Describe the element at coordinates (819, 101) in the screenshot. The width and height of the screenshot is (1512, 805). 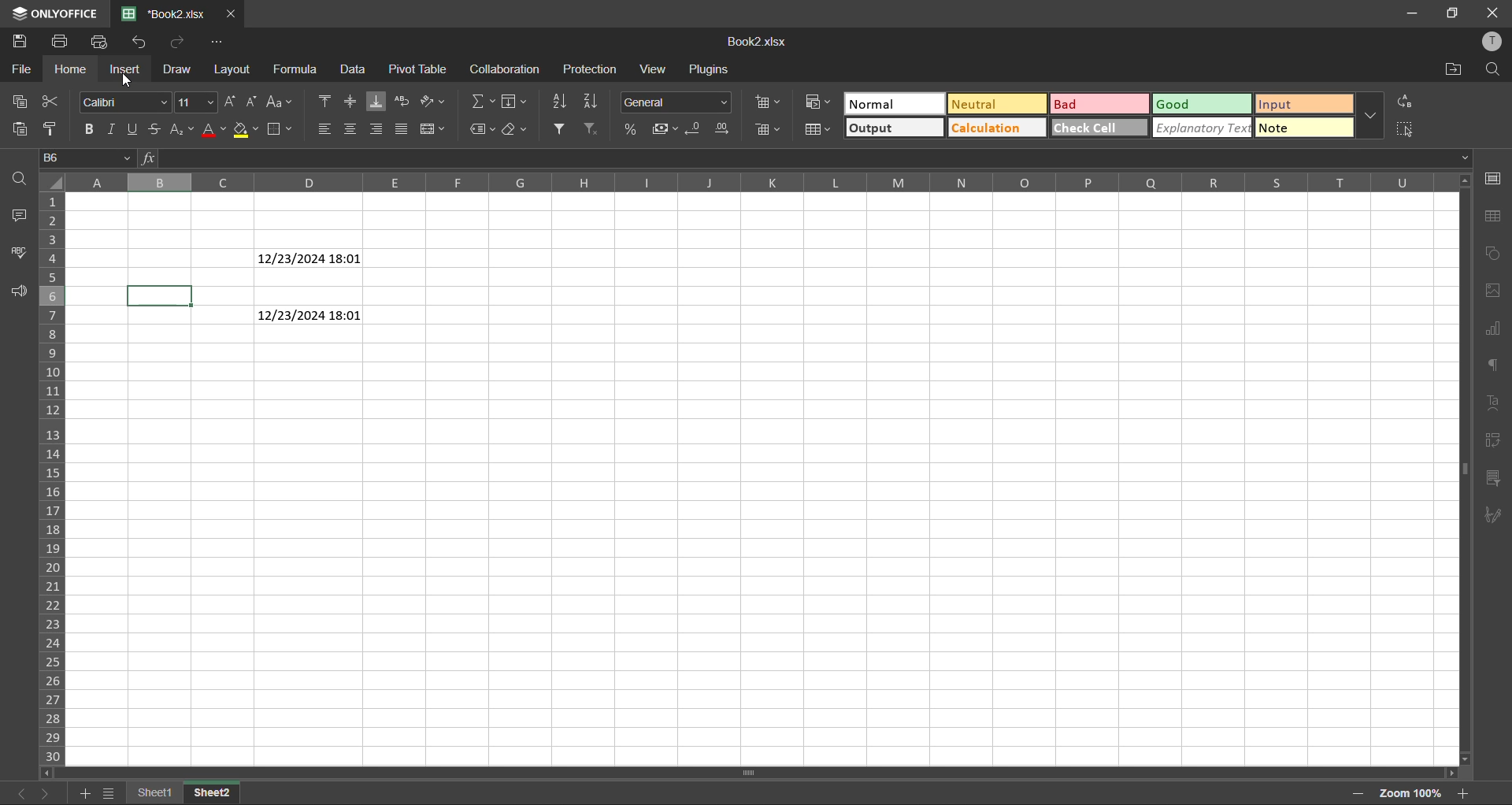
I see `conditional formatting` at that location.